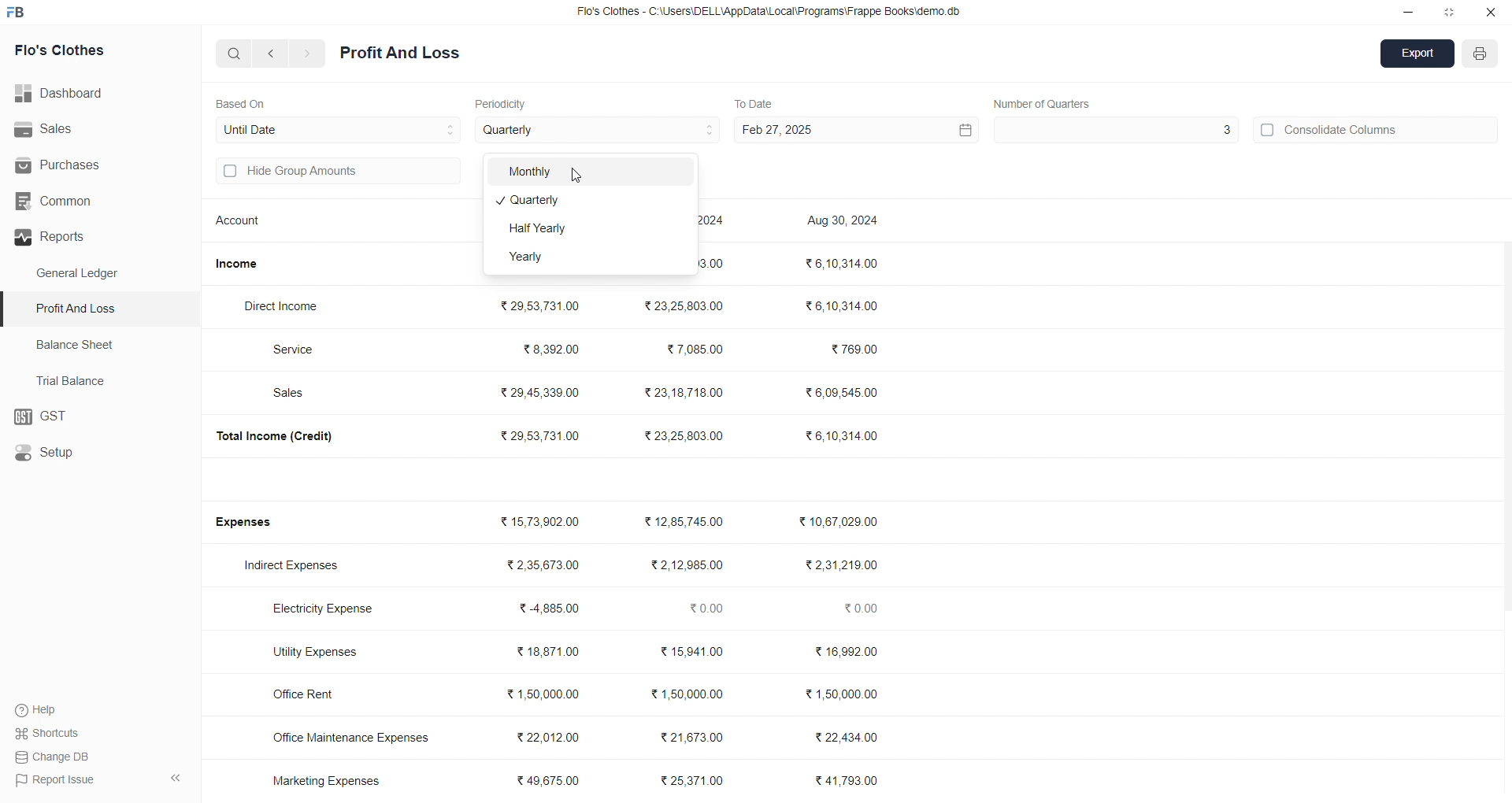 This screenshot has width=1512, height=803. What do you see at coordinates (242, 223) in the screenshot?
I see `Account` at bounding box center [242, 223].